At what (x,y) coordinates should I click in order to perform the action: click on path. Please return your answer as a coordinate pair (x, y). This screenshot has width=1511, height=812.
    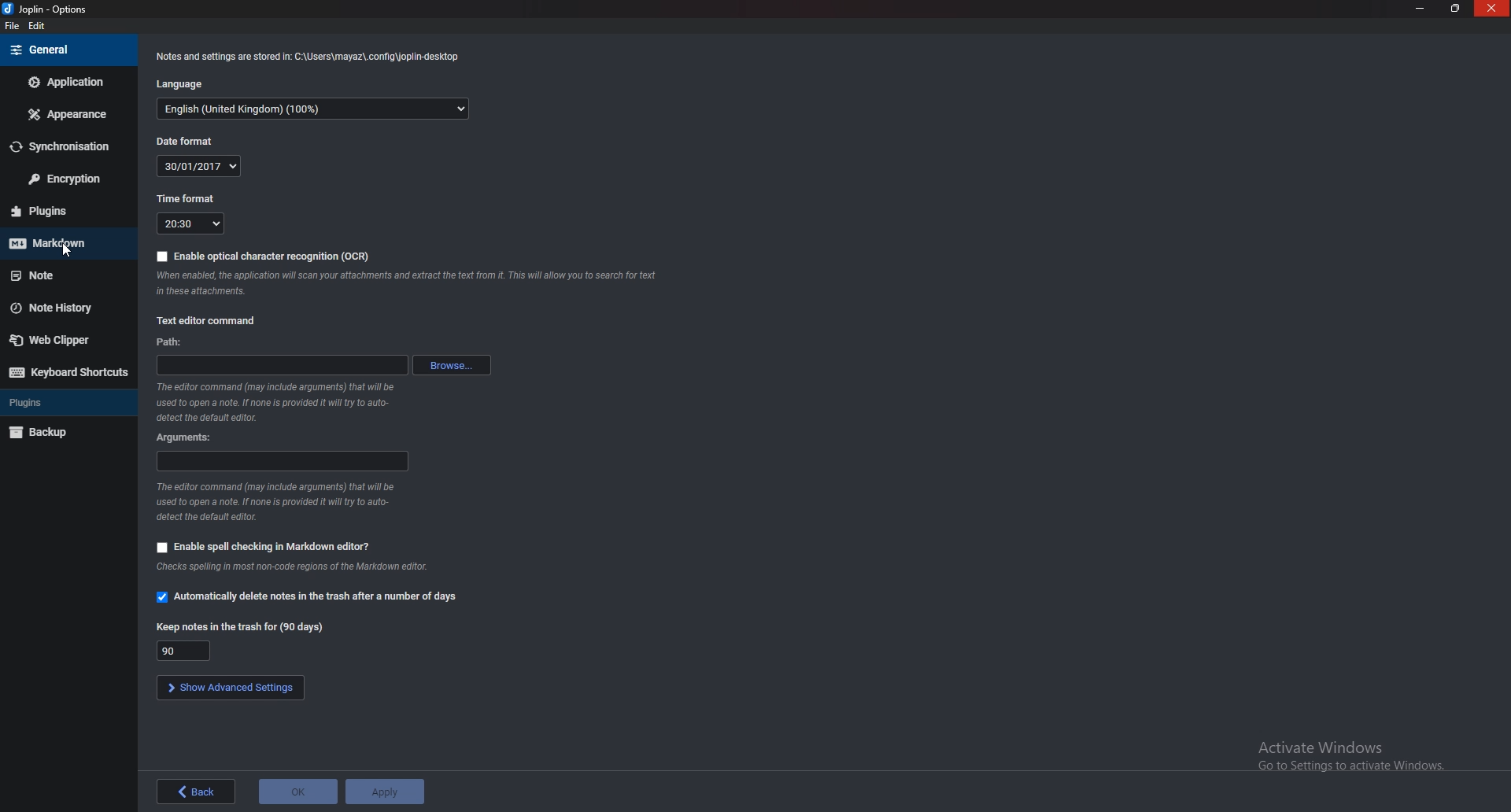
    Looking at the image, I should click on (171, 341).